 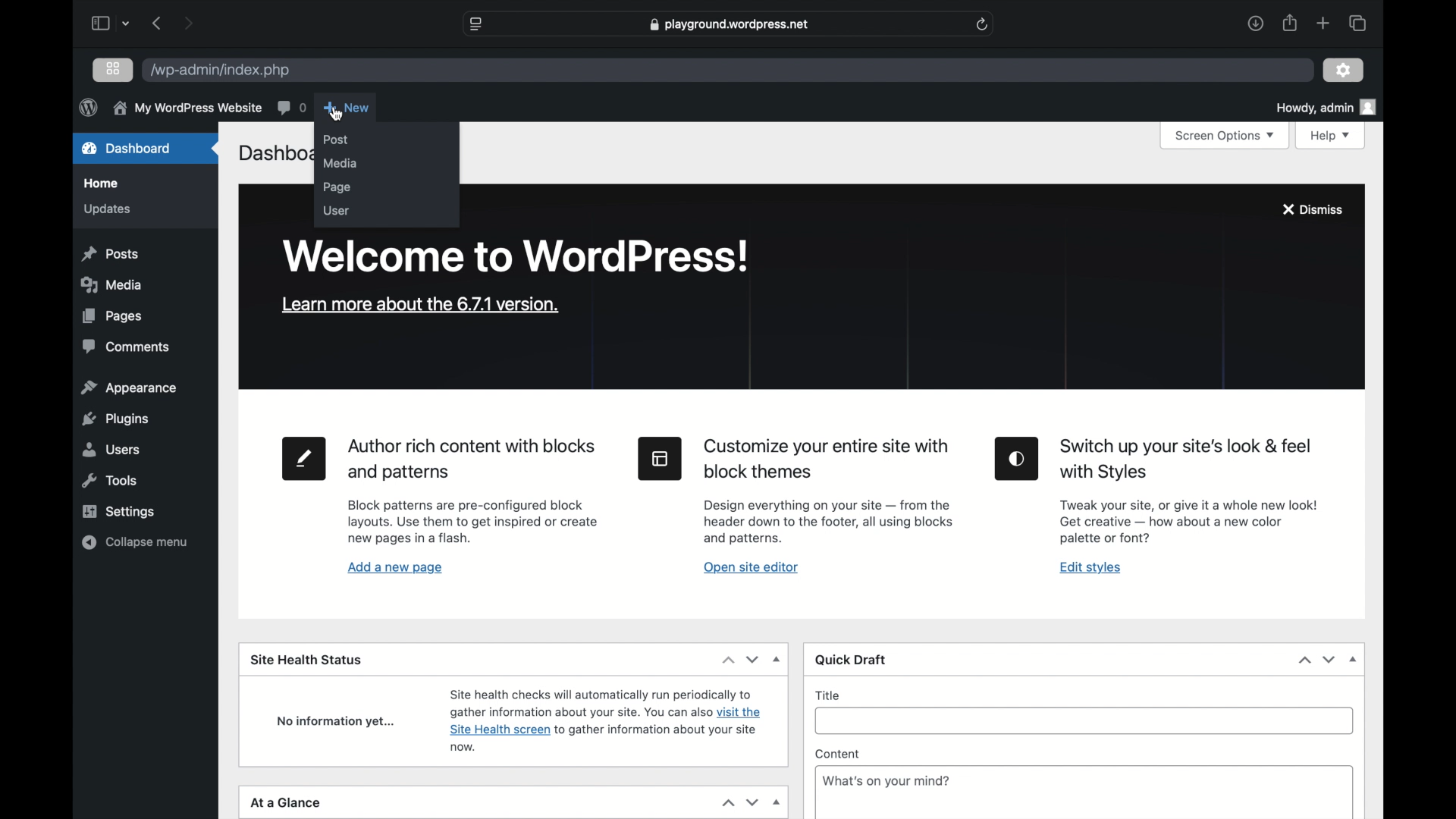 I want to click on pages, so click(x=111, y=316).